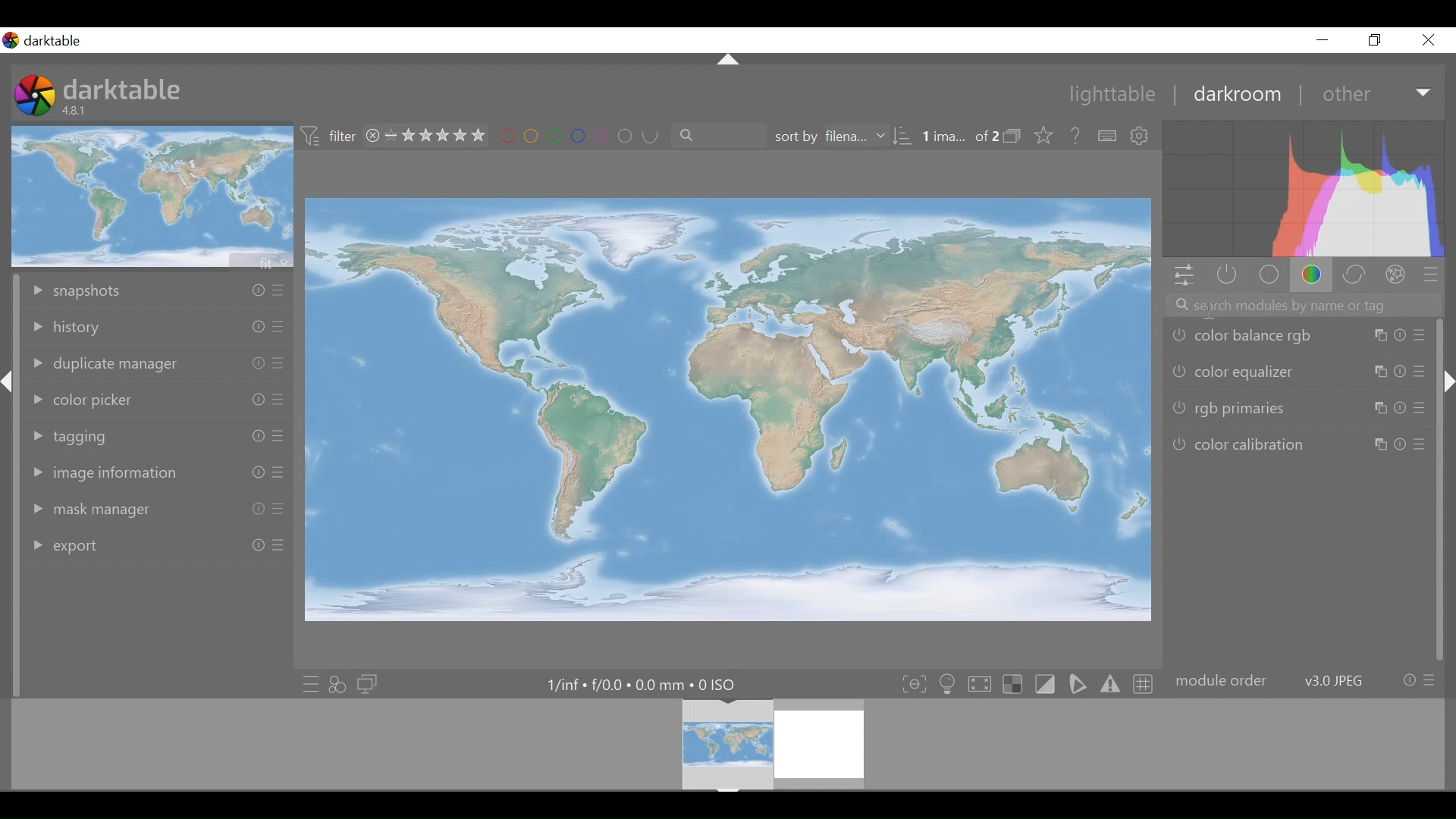 This screenshot has height=819, width=1456. What do you see at coordinates (1105, 93) in the screenshot?
I see `Lightable` at bounding box center [1105, 93].